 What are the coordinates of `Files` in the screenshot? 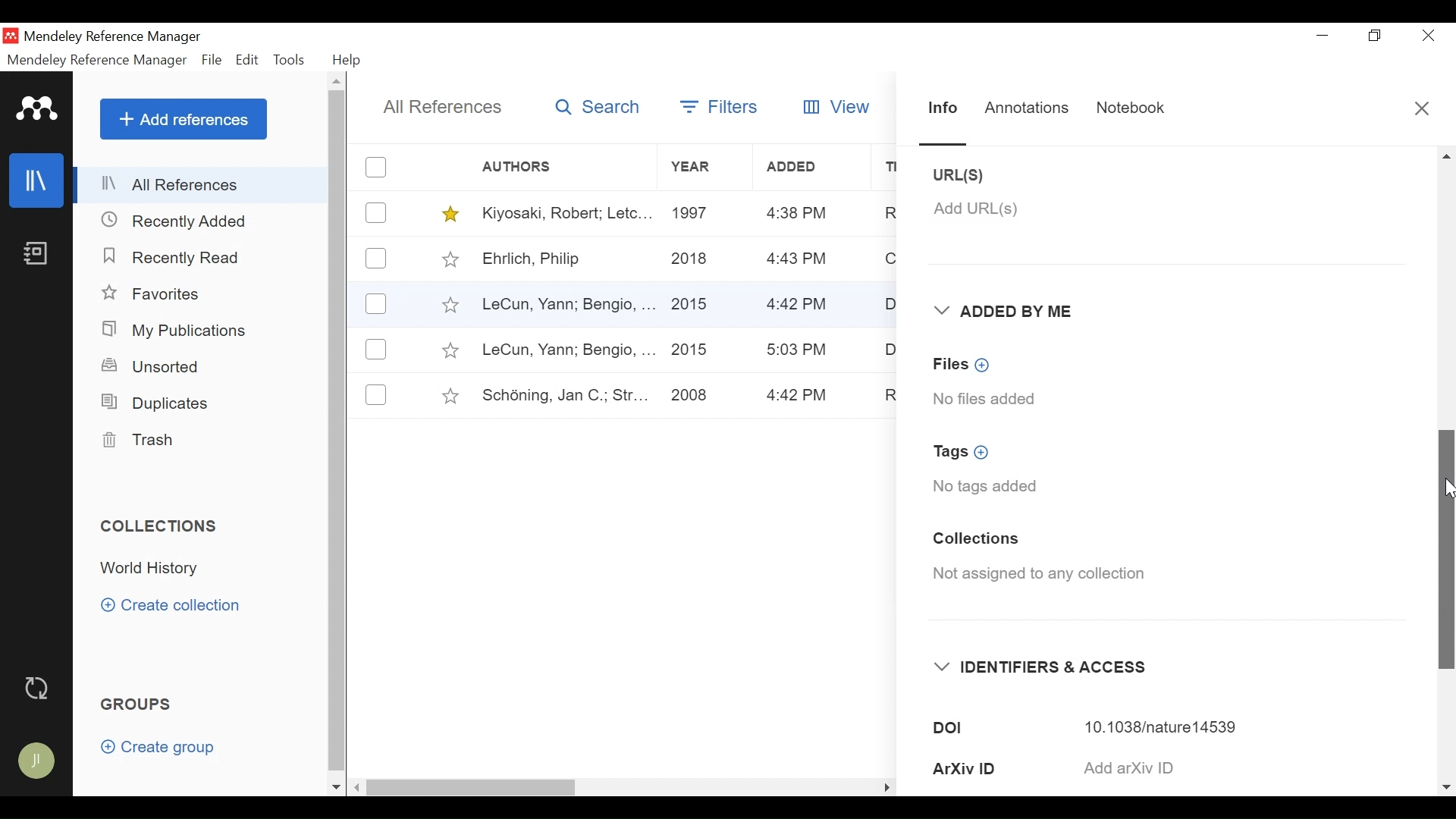 It's located at (965, 364).